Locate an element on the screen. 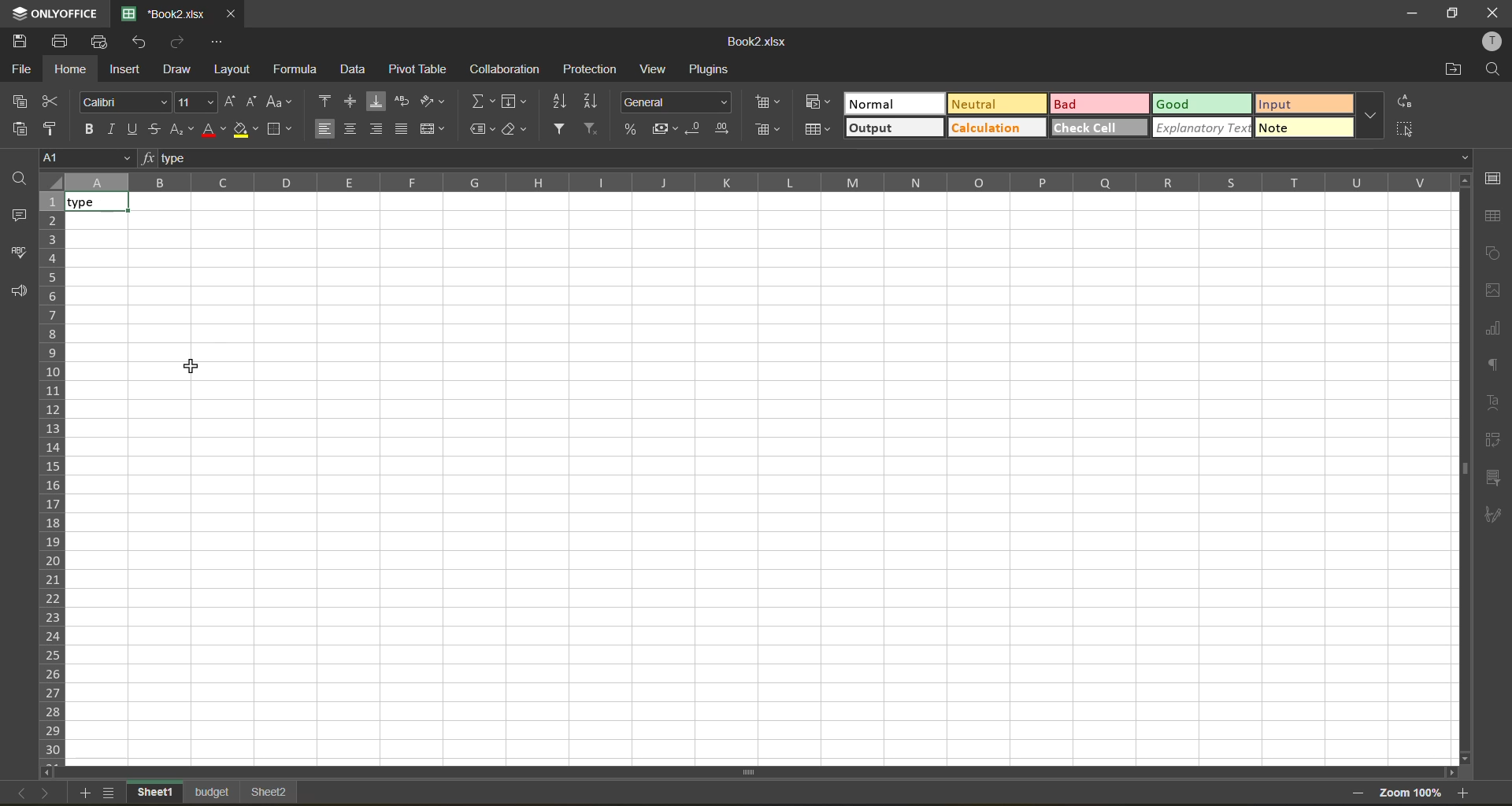  layout is located at coordinates (232, 68).